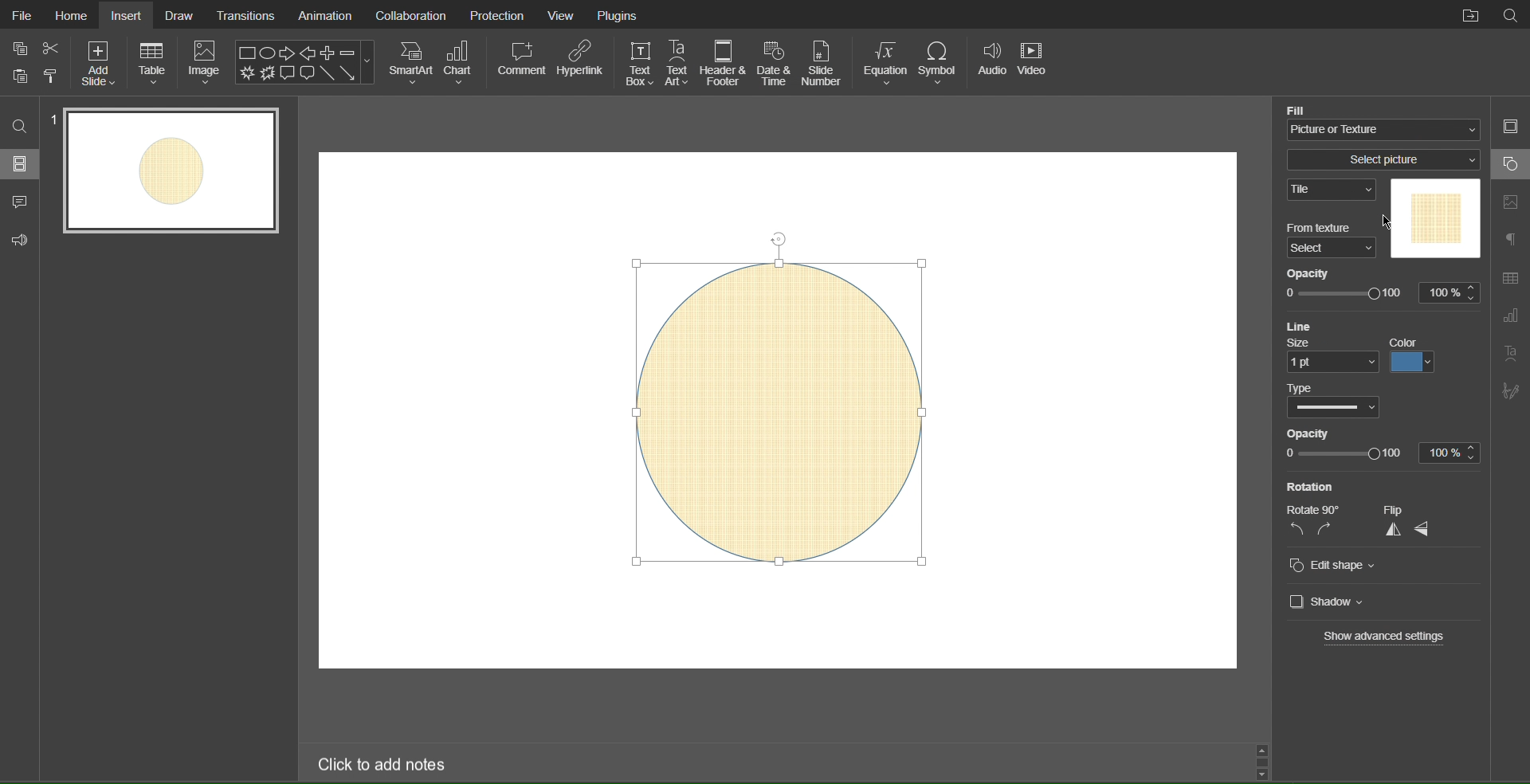 This screenshot has width=1530, height=784. I want to click on Hyperlink, so click(581, 62).